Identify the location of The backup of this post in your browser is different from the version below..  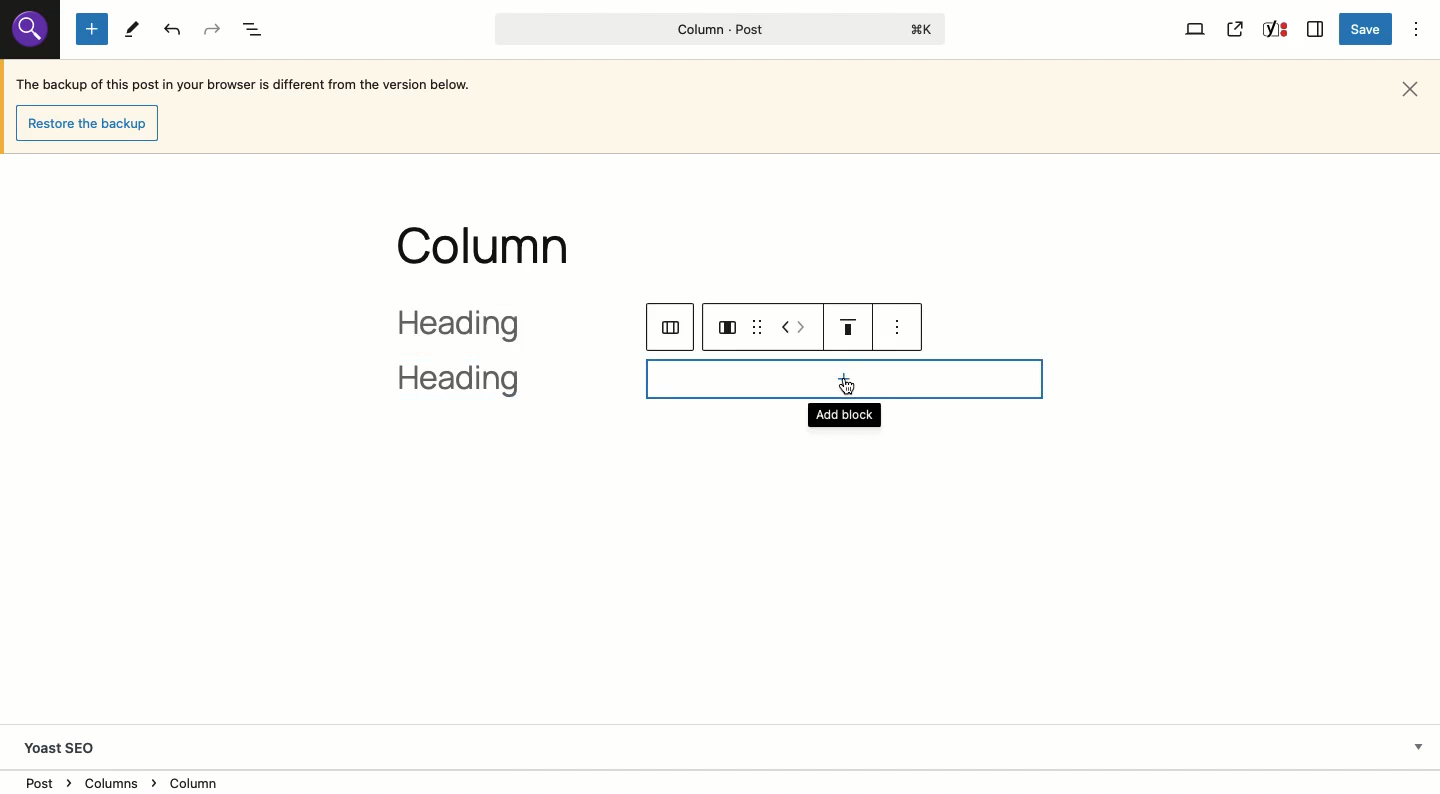
(245, 87).